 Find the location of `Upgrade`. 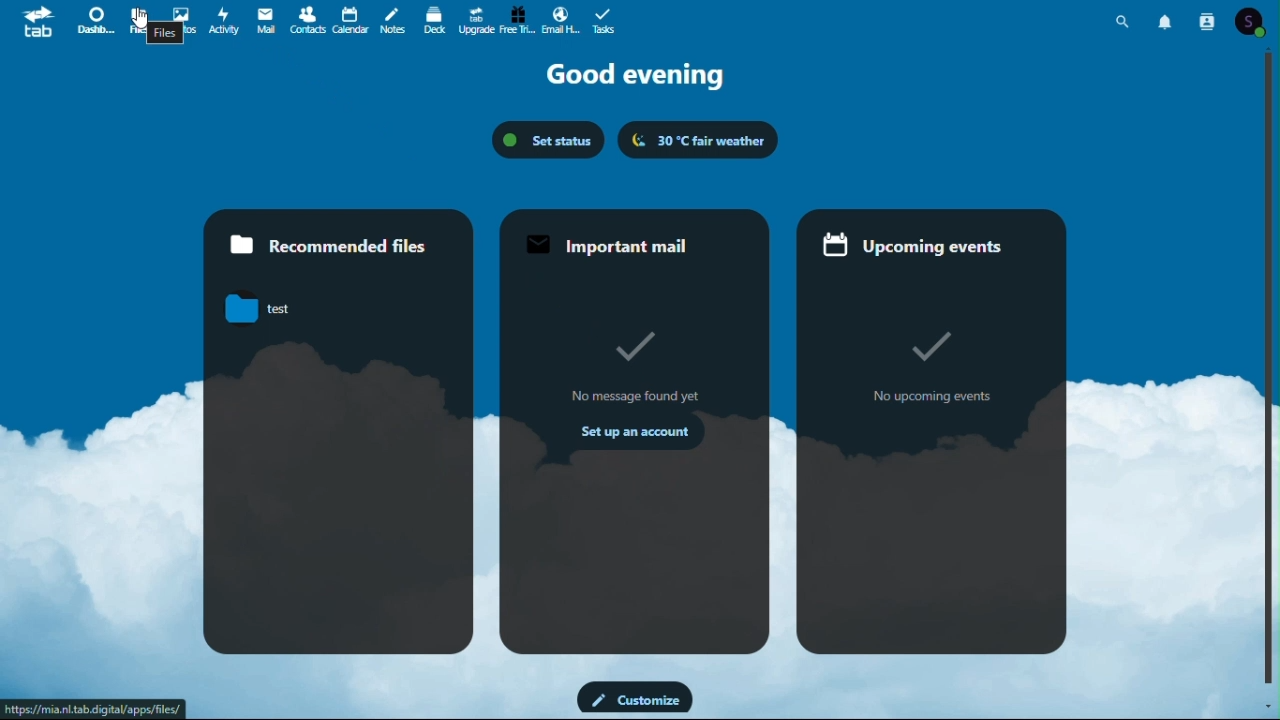

Upgrade is located at coordinates (475, 20).